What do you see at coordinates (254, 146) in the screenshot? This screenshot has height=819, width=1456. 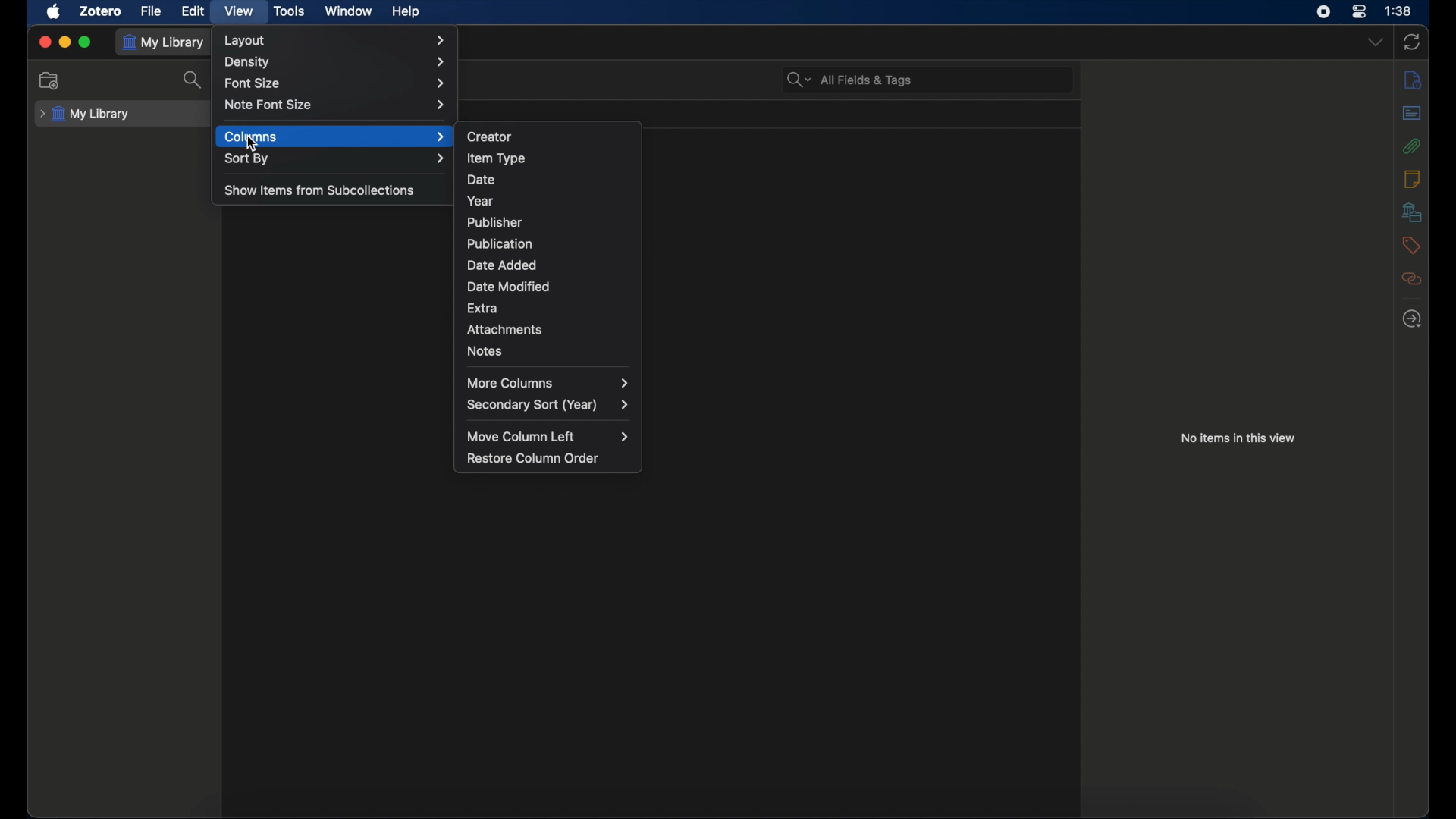 I see `Cursor` at bounding box center [254, 146].